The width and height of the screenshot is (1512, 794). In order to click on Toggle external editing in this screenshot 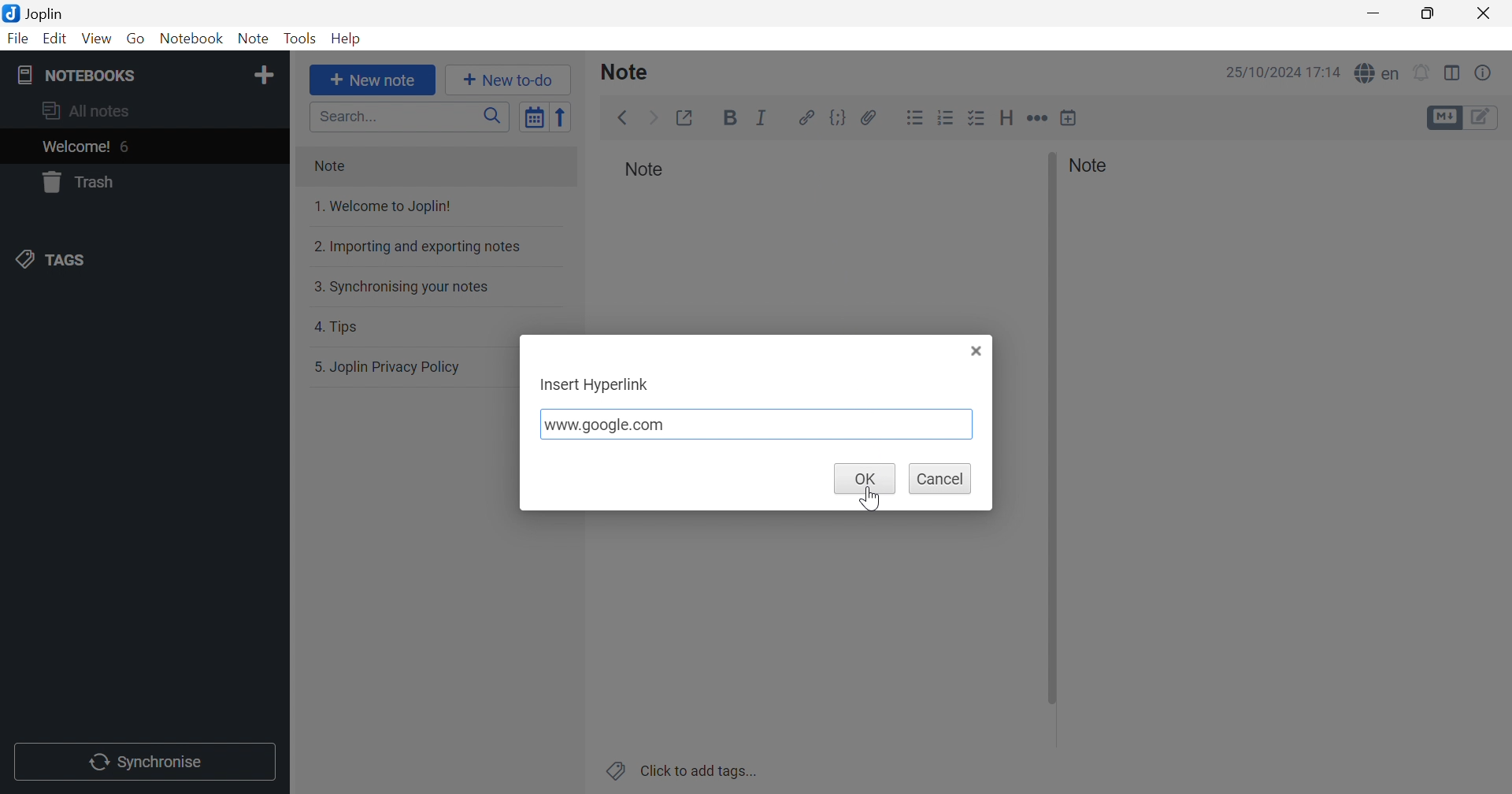, I will do `click(688, 117)`.